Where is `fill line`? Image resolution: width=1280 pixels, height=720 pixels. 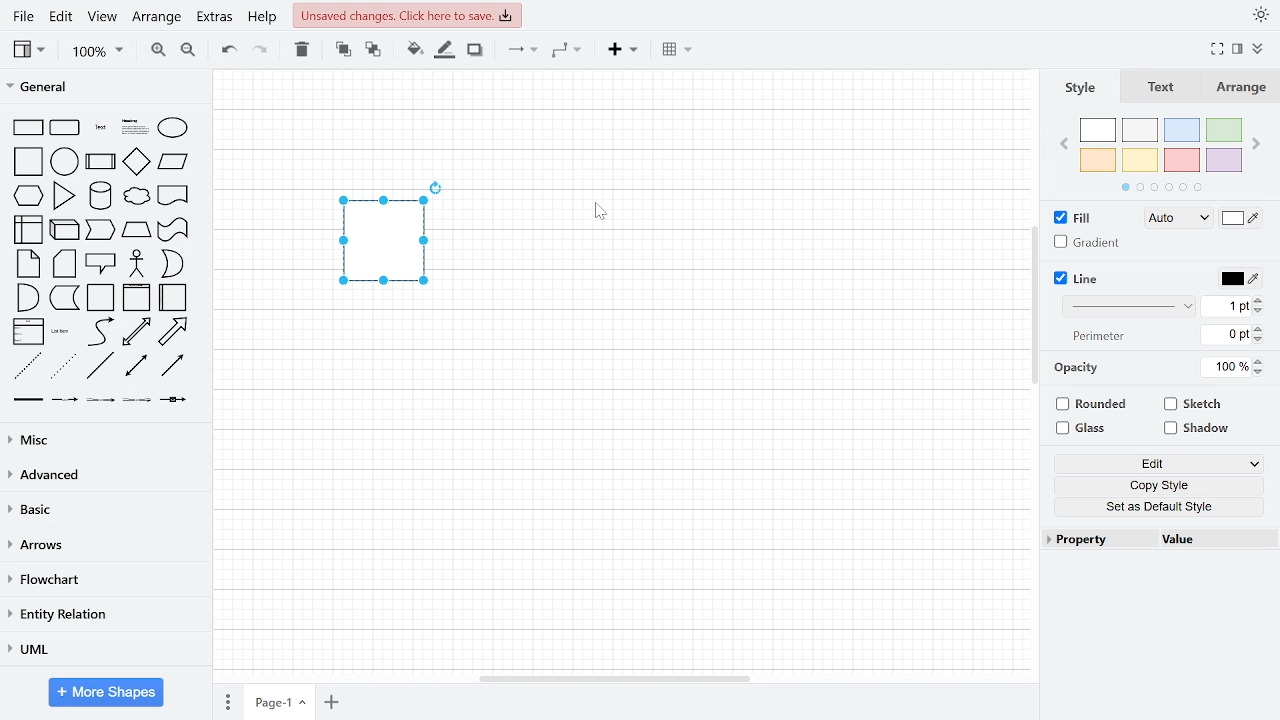
fill line is located at coordinates (443, 49).